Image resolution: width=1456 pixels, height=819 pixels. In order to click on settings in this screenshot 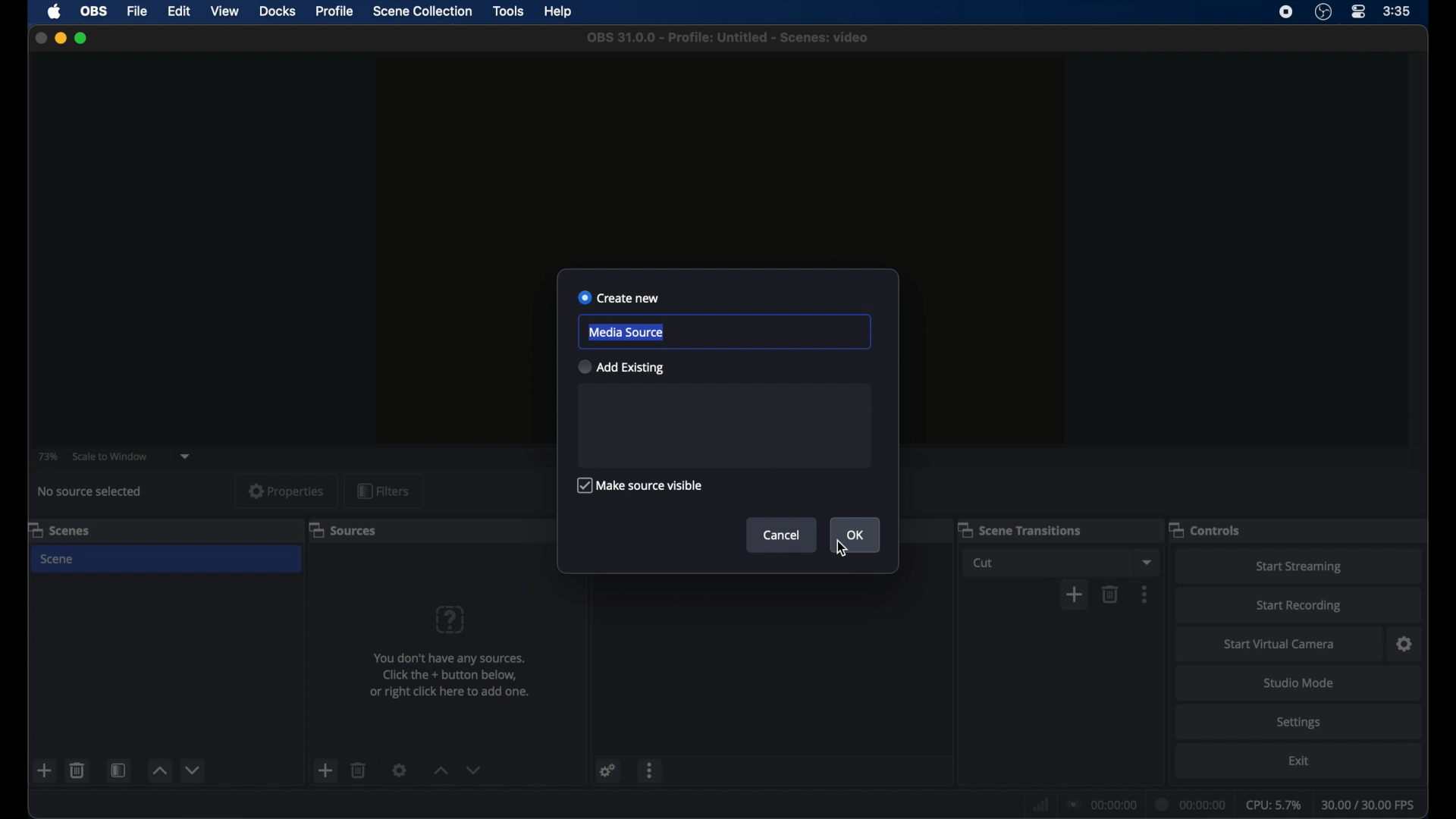, I will do `click(1298, 723)`.